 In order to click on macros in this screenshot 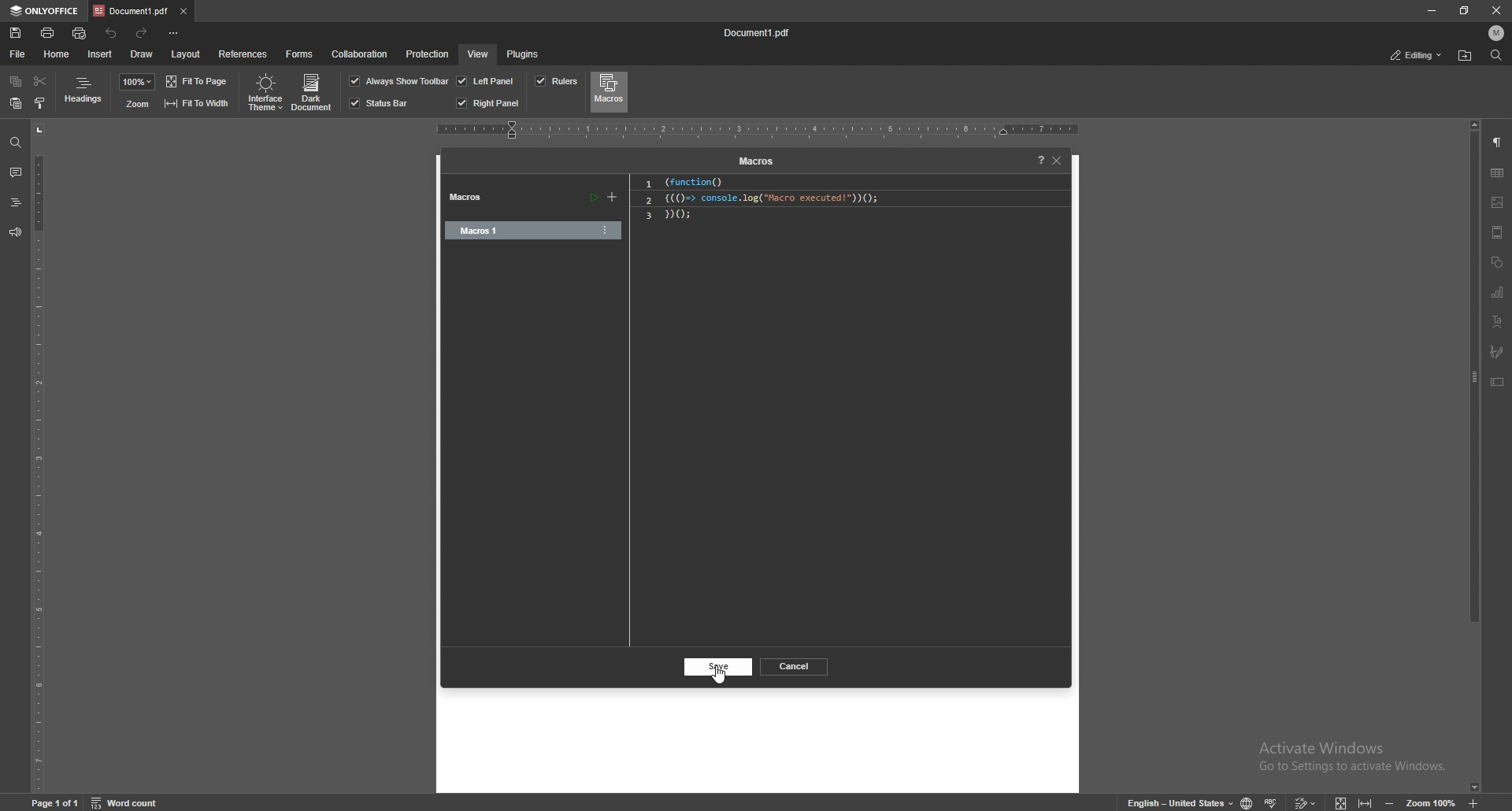, I will do `click(754, 162)`.